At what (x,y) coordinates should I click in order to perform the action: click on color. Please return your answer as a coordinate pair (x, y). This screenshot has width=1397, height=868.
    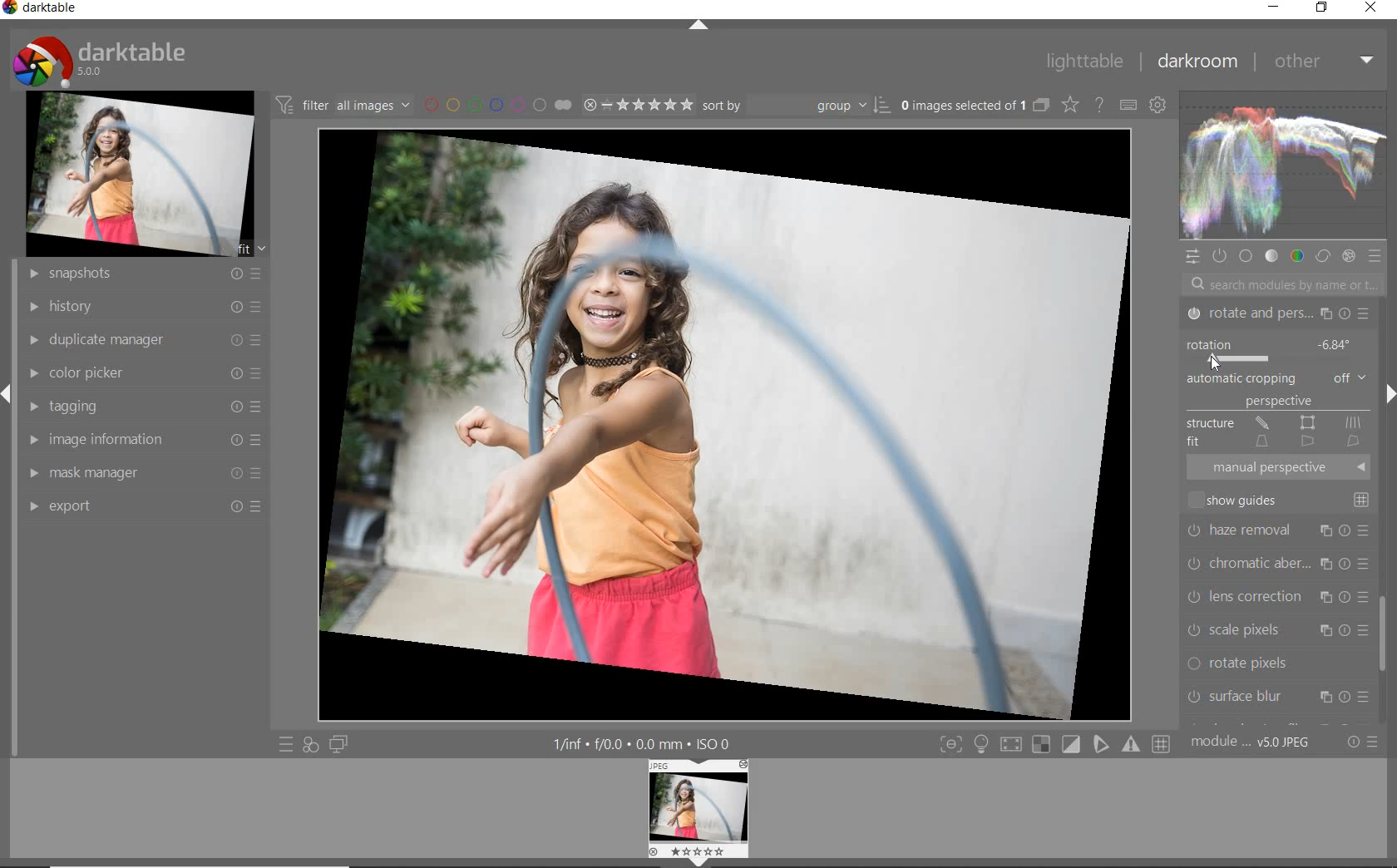
    Looking at the image, I should click on (1298, 258).